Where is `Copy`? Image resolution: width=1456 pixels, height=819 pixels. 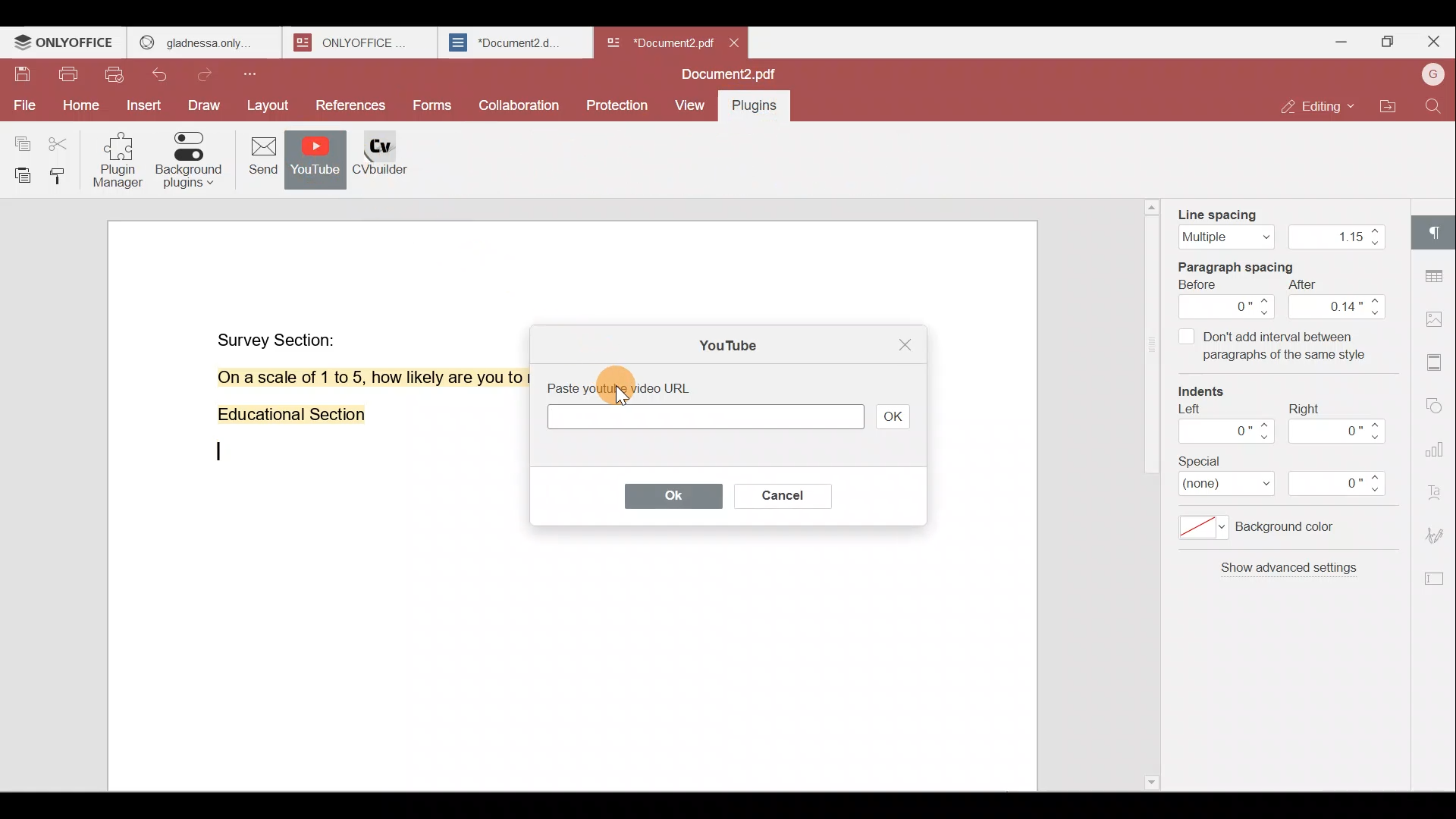 Copy is located at coordinates (21, 137).